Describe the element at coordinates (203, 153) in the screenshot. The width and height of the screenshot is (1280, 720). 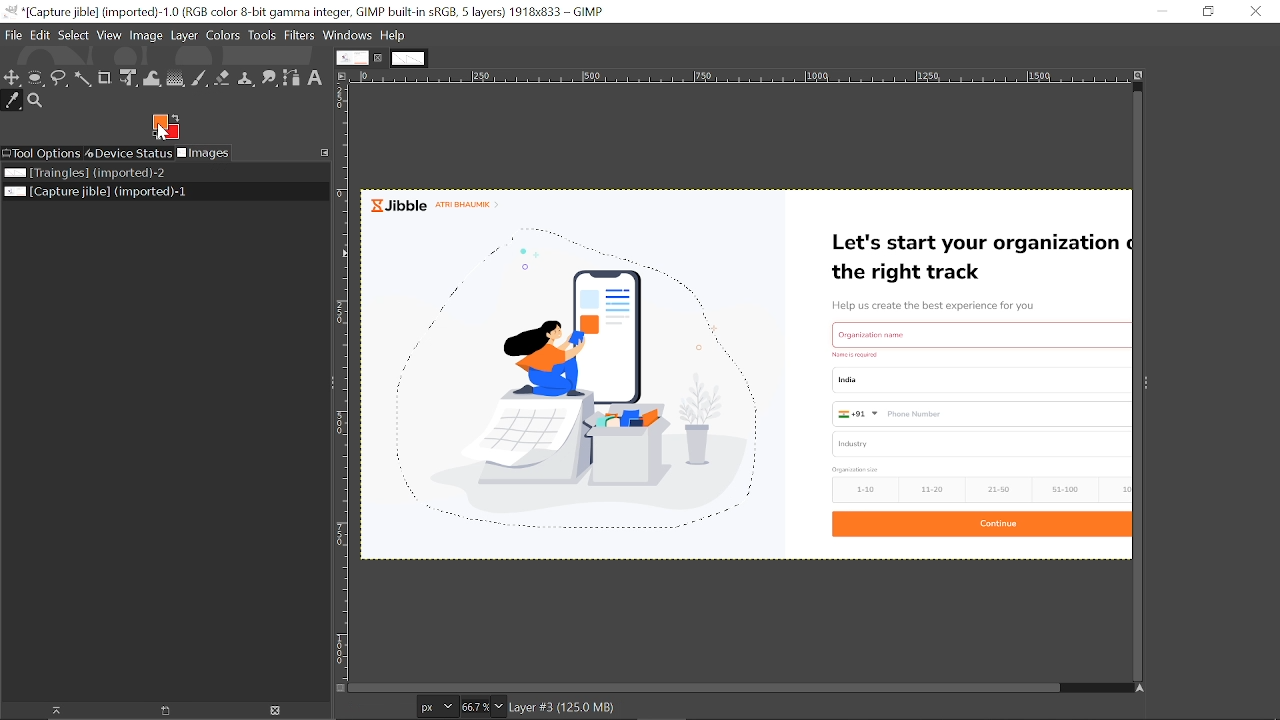
I see `Images` at that location.